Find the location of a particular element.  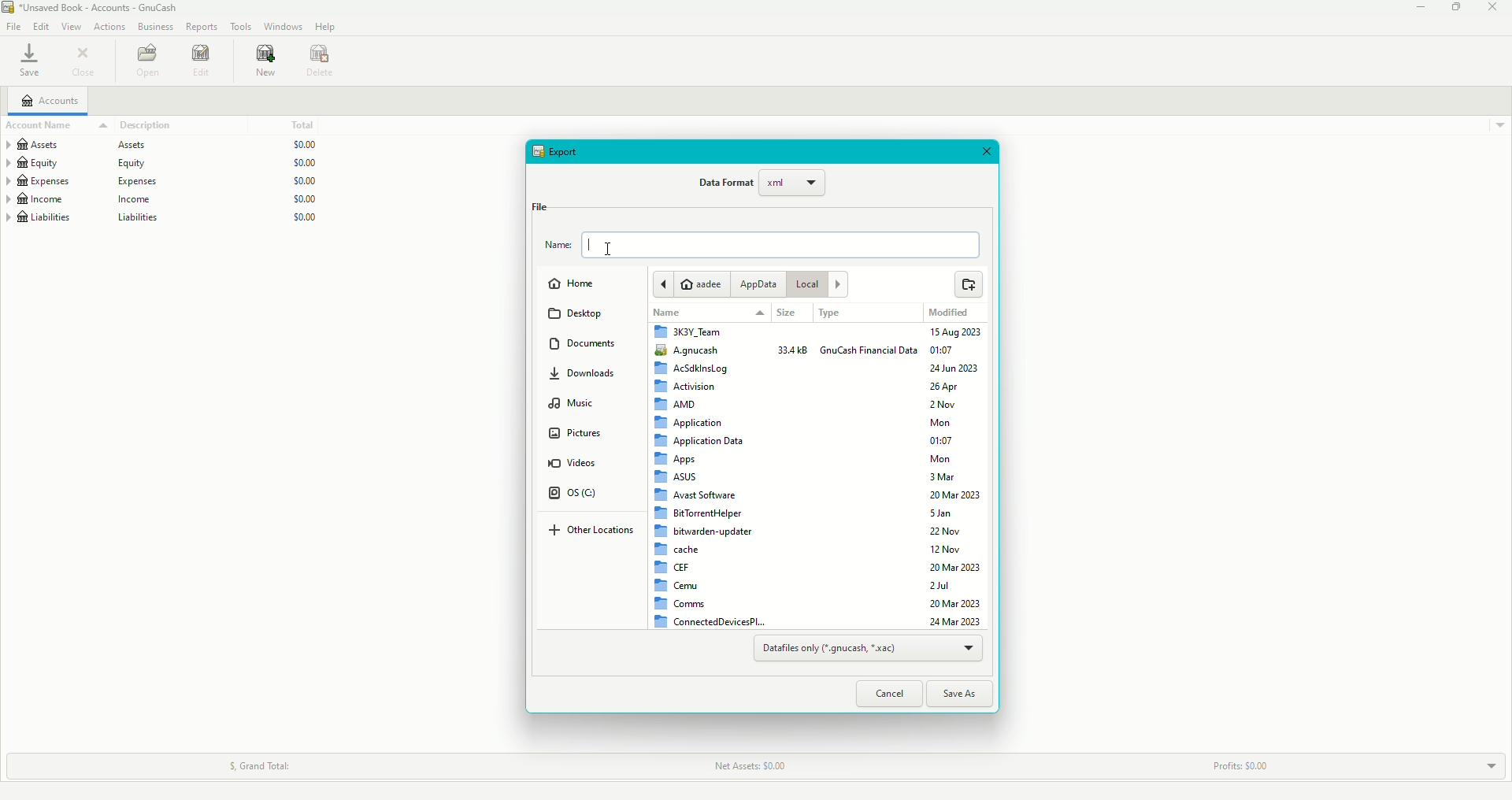

Description is located at coordinates (137, 125).